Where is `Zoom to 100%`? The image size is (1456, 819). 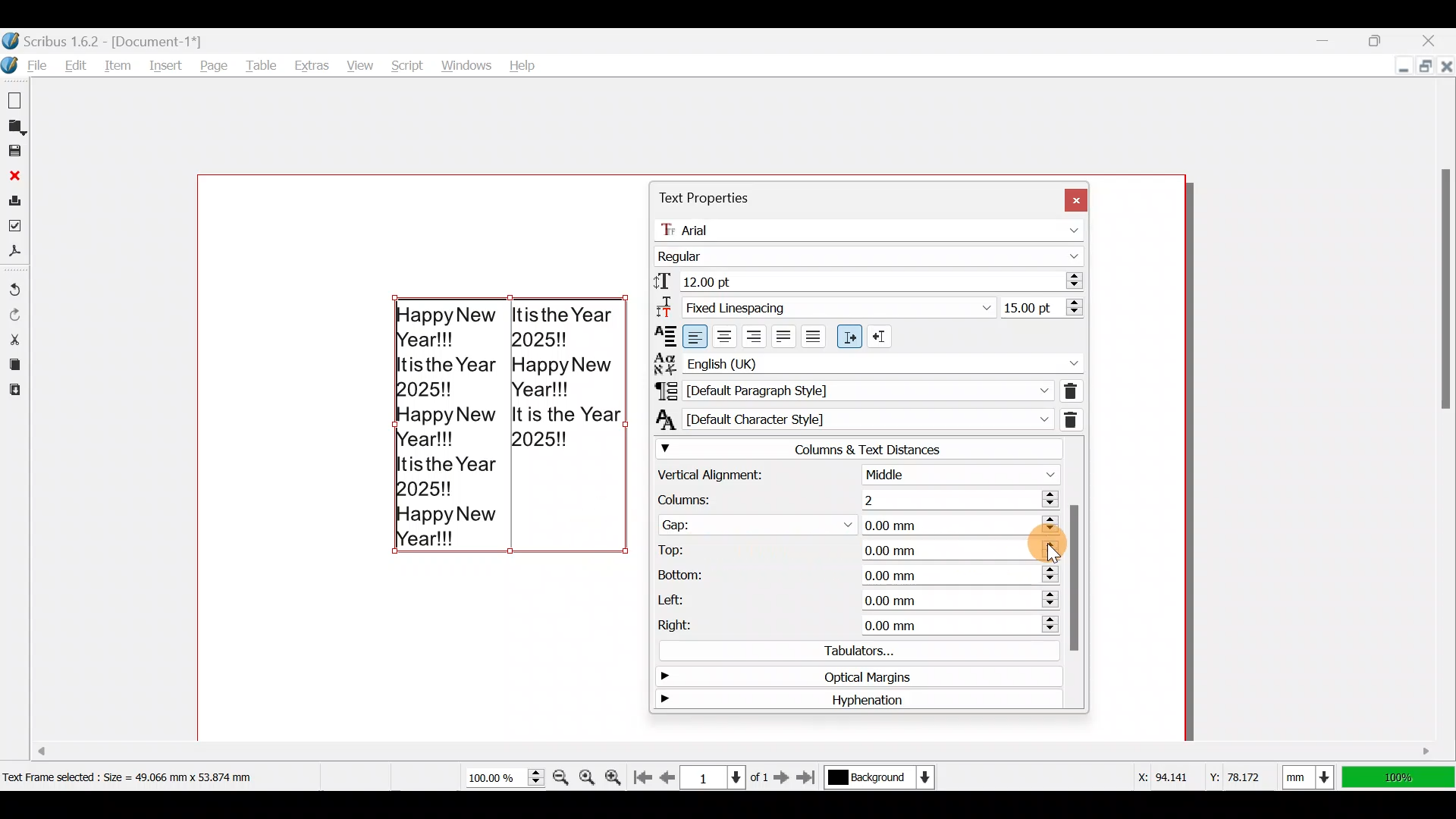
Zoom to 100% is located at coordinates (588, 773).